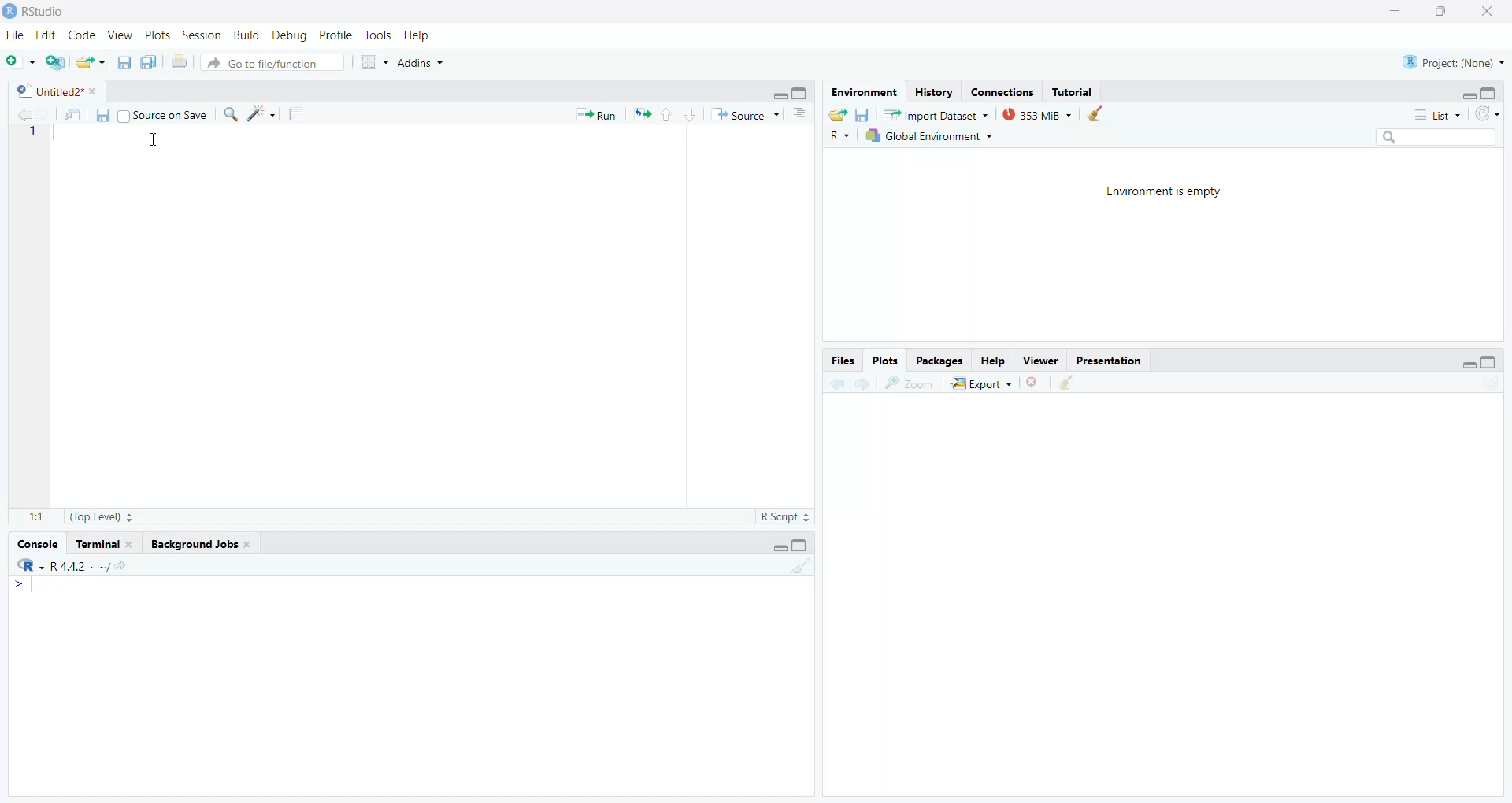  What do you see at coordinates (1462, 92) in the screenshot?
I see `hide r script` at bounding box center [1462, 92].